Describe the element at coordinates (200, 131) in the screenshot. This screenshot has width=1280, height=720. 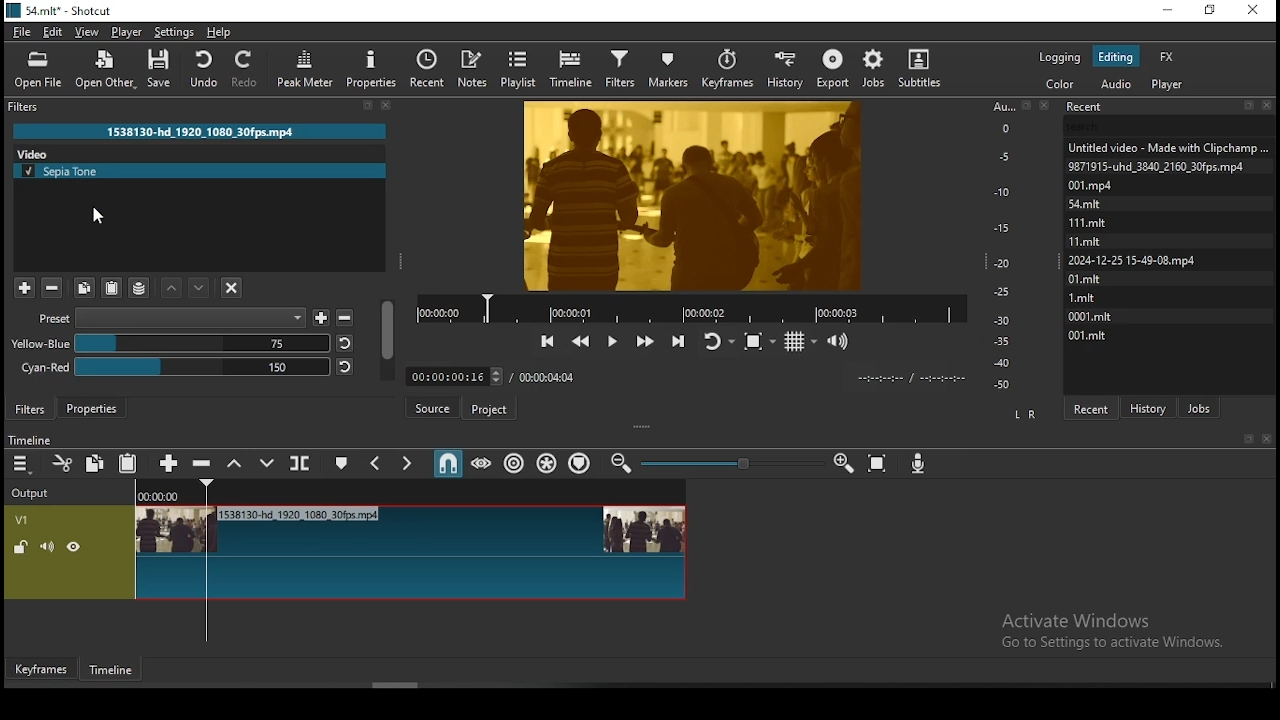
I see `1538130-hd 1920 1080 30fps.mpd` at that location.